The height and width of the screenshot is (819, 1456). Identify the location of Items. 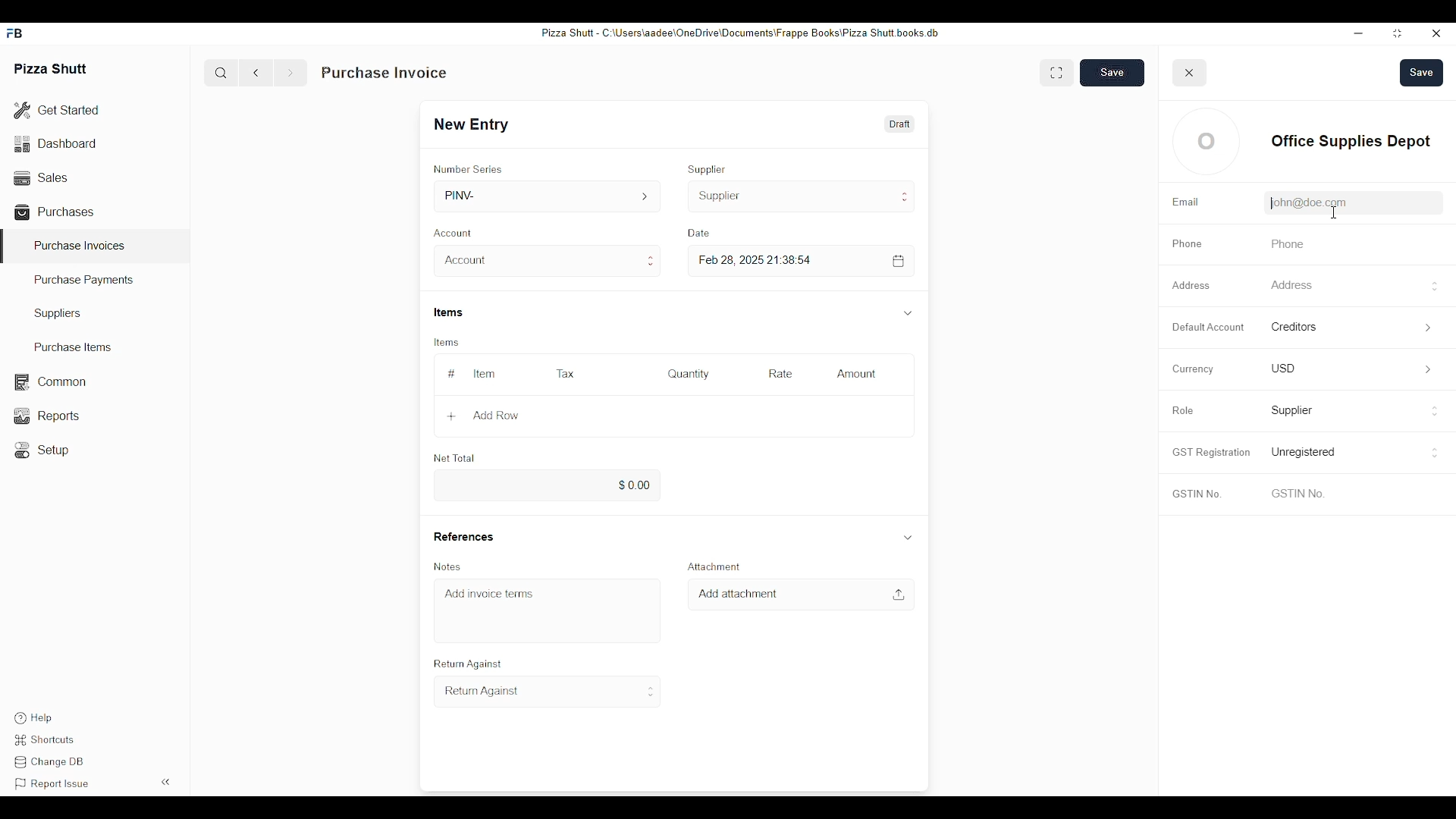
(444, 343).